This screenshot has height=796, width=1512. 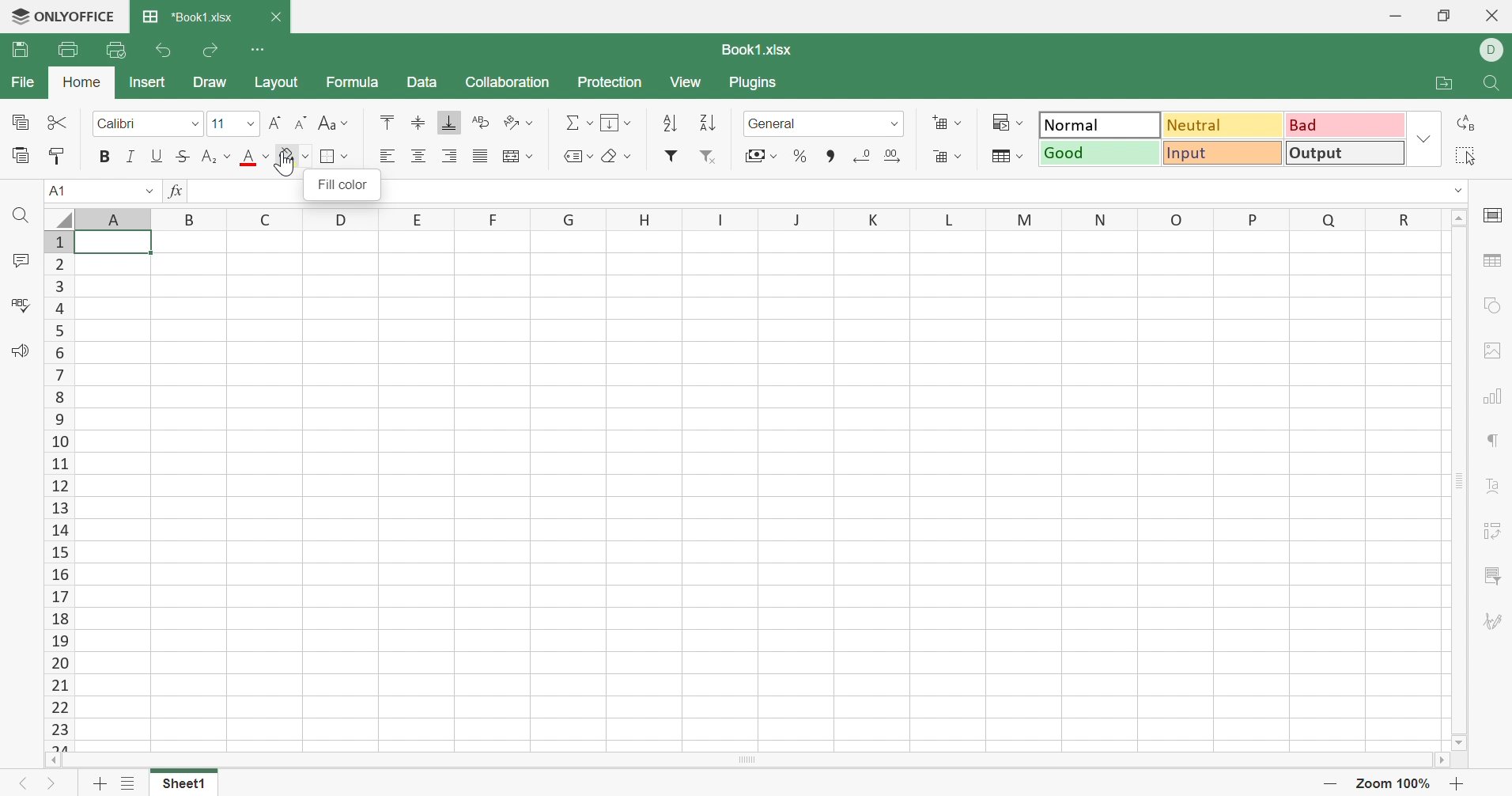 I want to click on Merge and center, so click(x=516, y=157).